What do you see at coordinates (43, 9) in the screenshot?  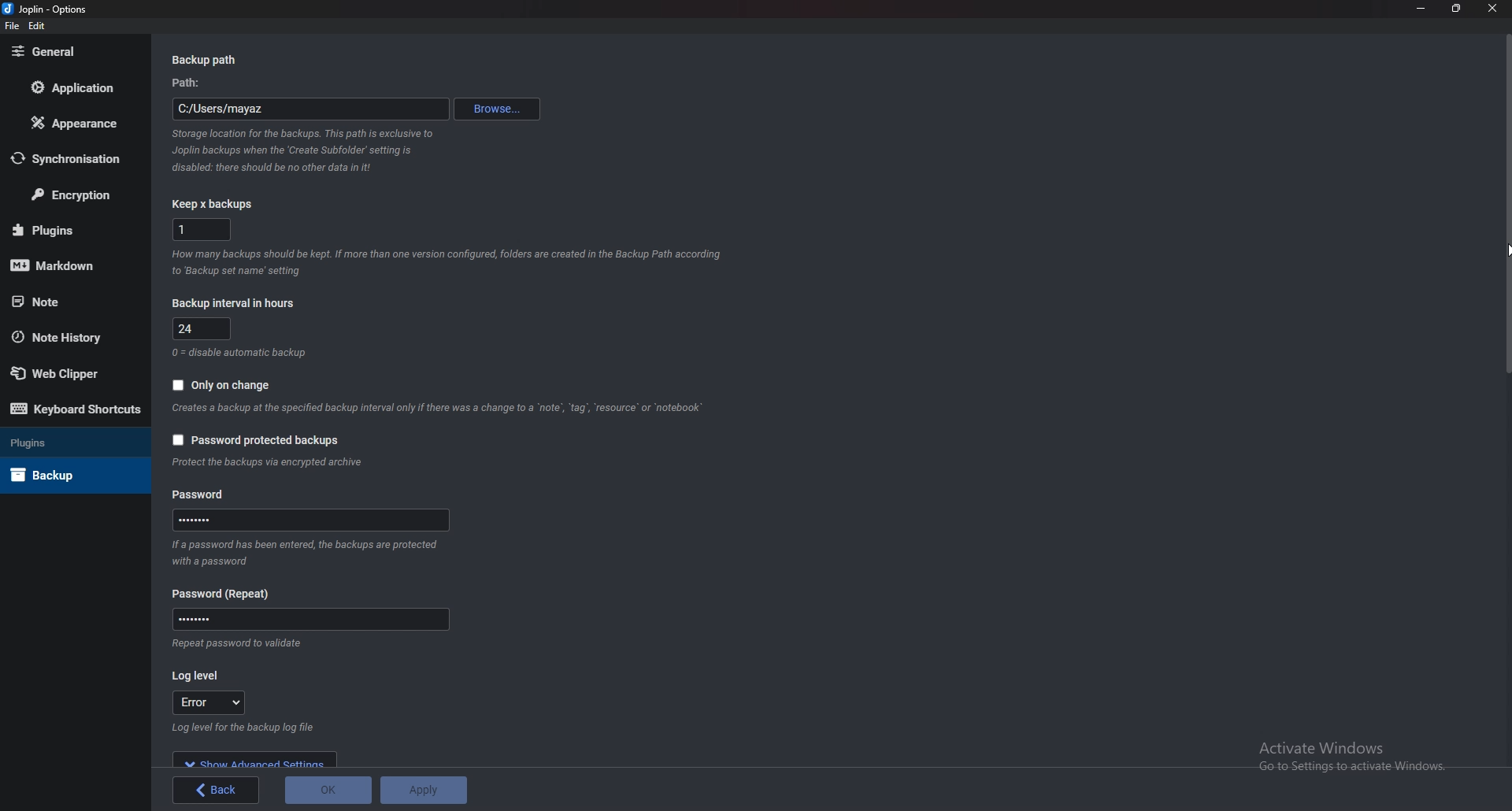 I see `Joplin` at bounding box center [43, 9].